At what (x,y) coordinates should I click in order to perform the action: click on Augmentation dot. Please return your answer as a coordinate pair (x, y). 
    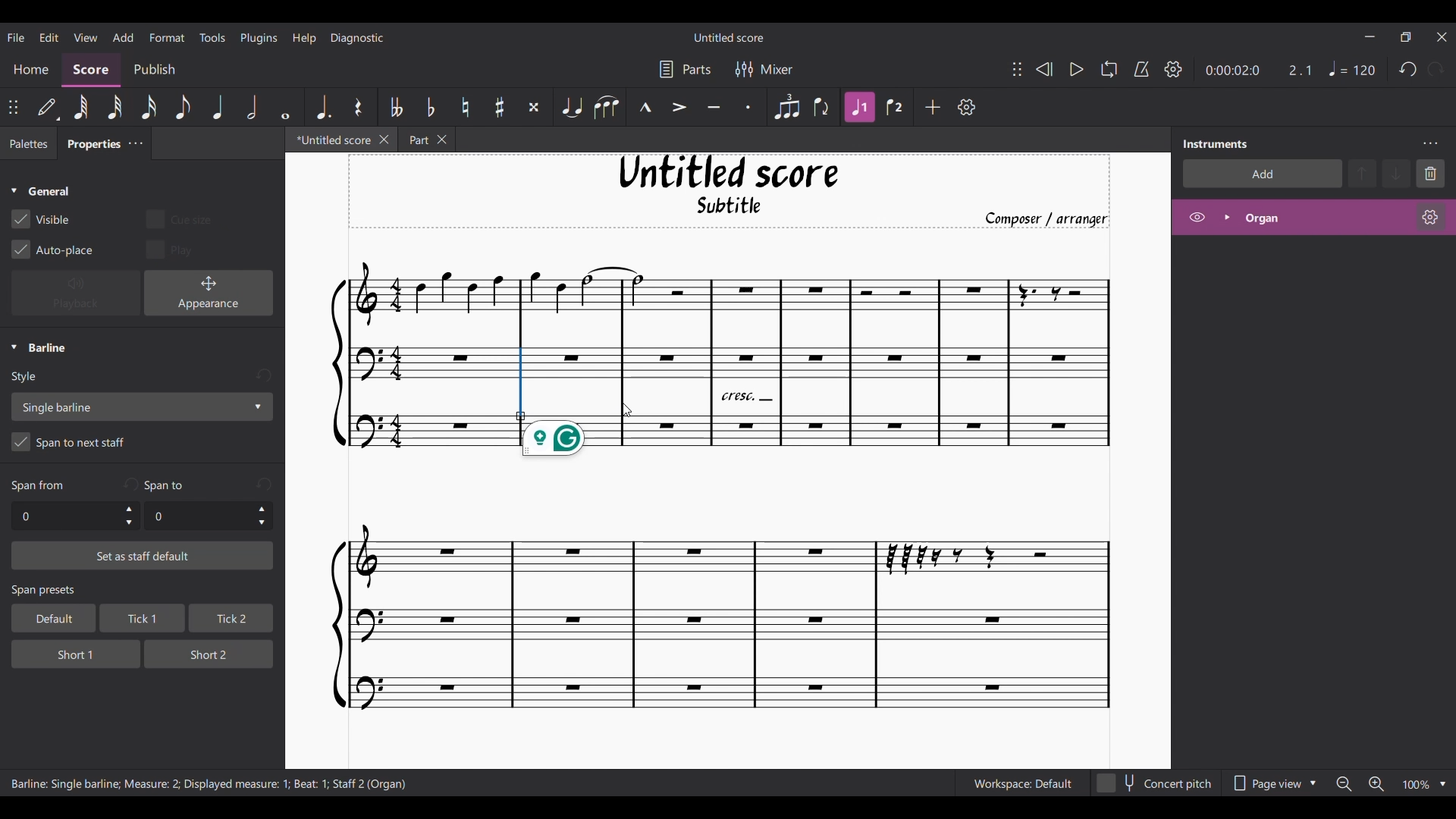
    Looking at the image, I should click on (322, 106).